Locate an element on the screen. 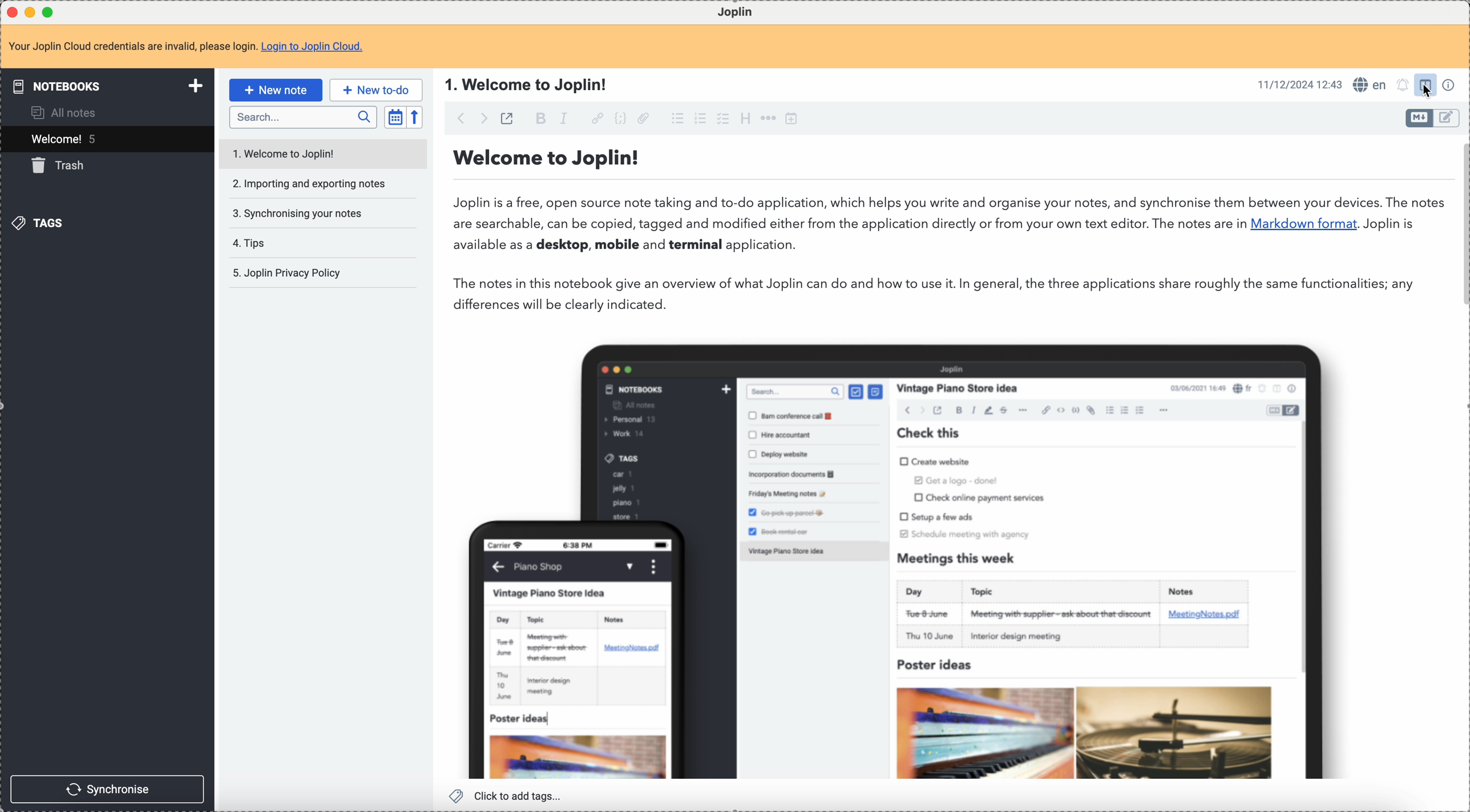 Image resolution: width=1470 pixels, height=812 pixels. reverse sort order is located at coordinates (418, 116).